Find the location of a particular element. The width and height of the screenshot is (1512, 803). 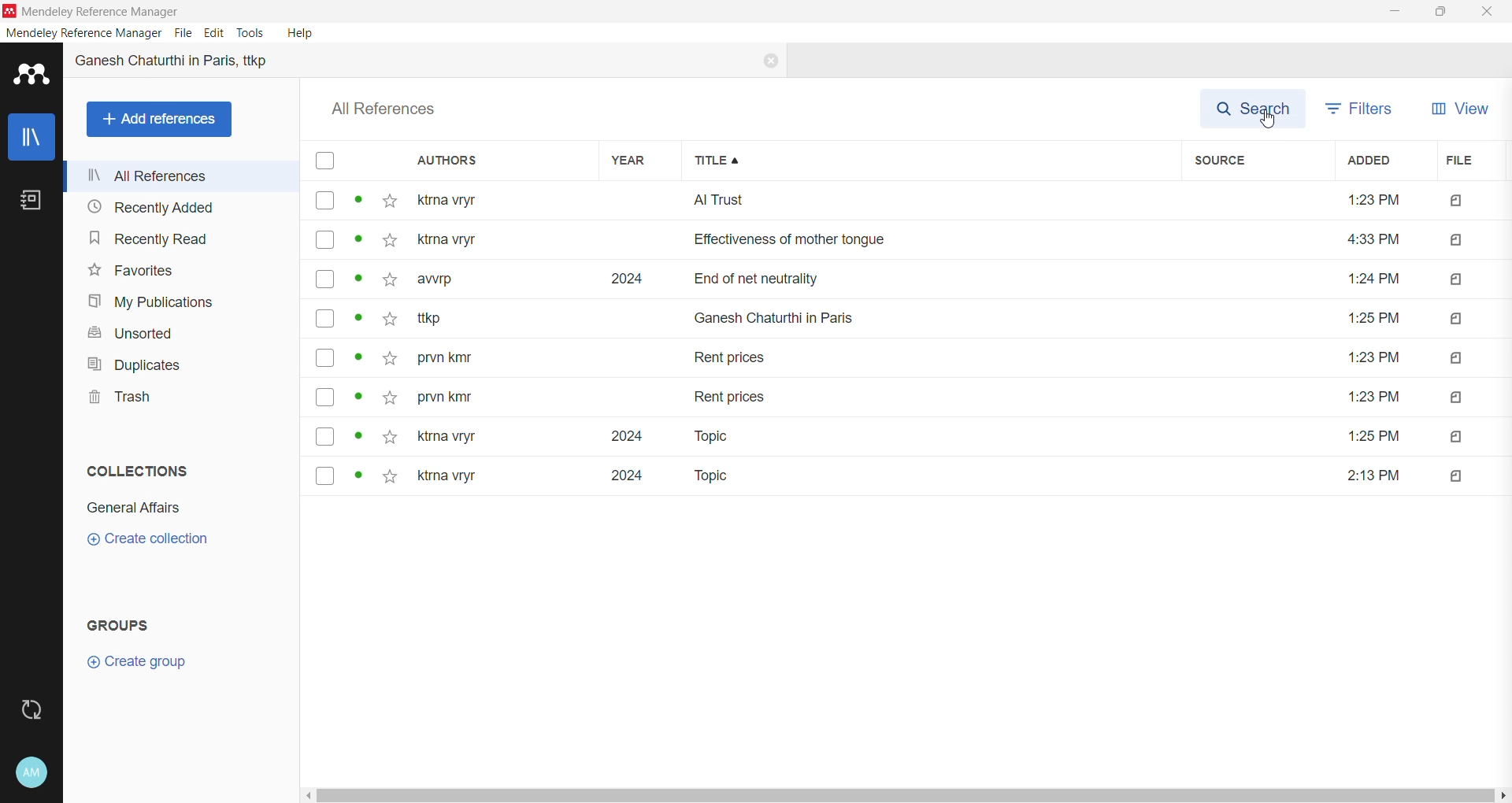

view status is located at coordinates (360, 358).